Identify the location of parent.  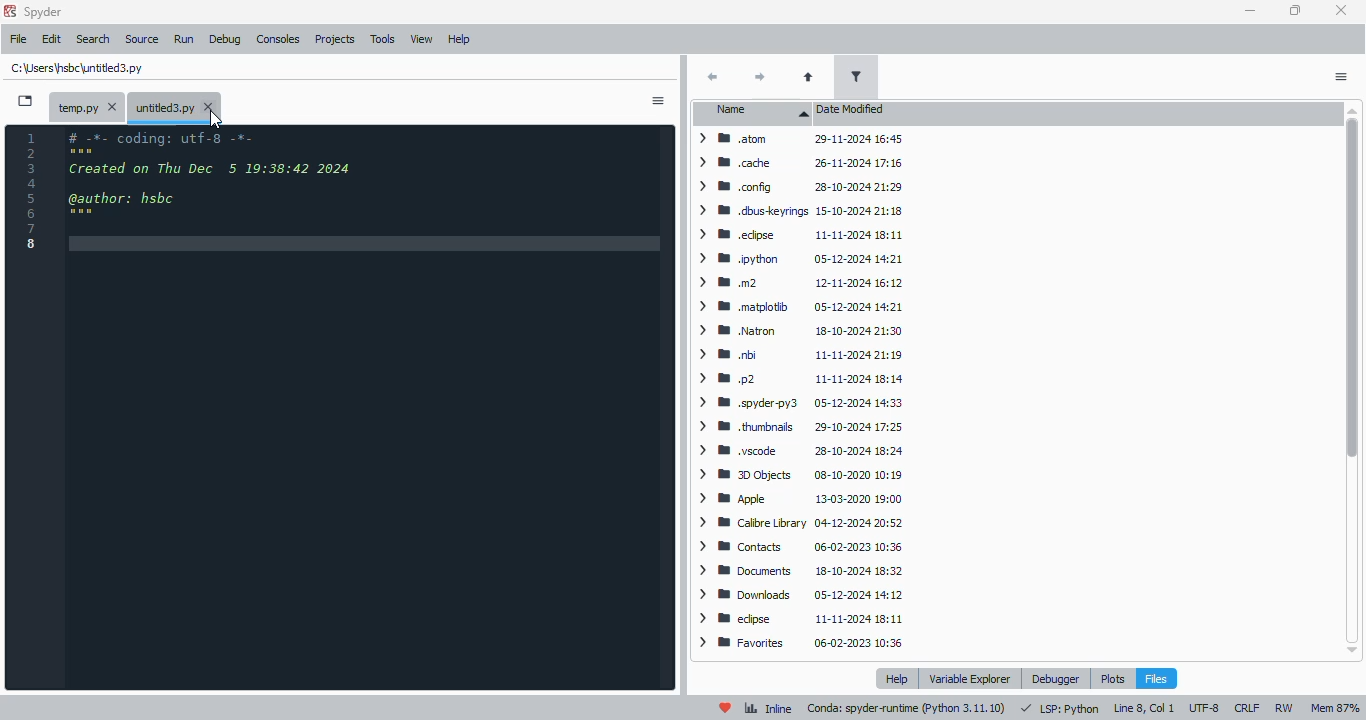
(810, 78).